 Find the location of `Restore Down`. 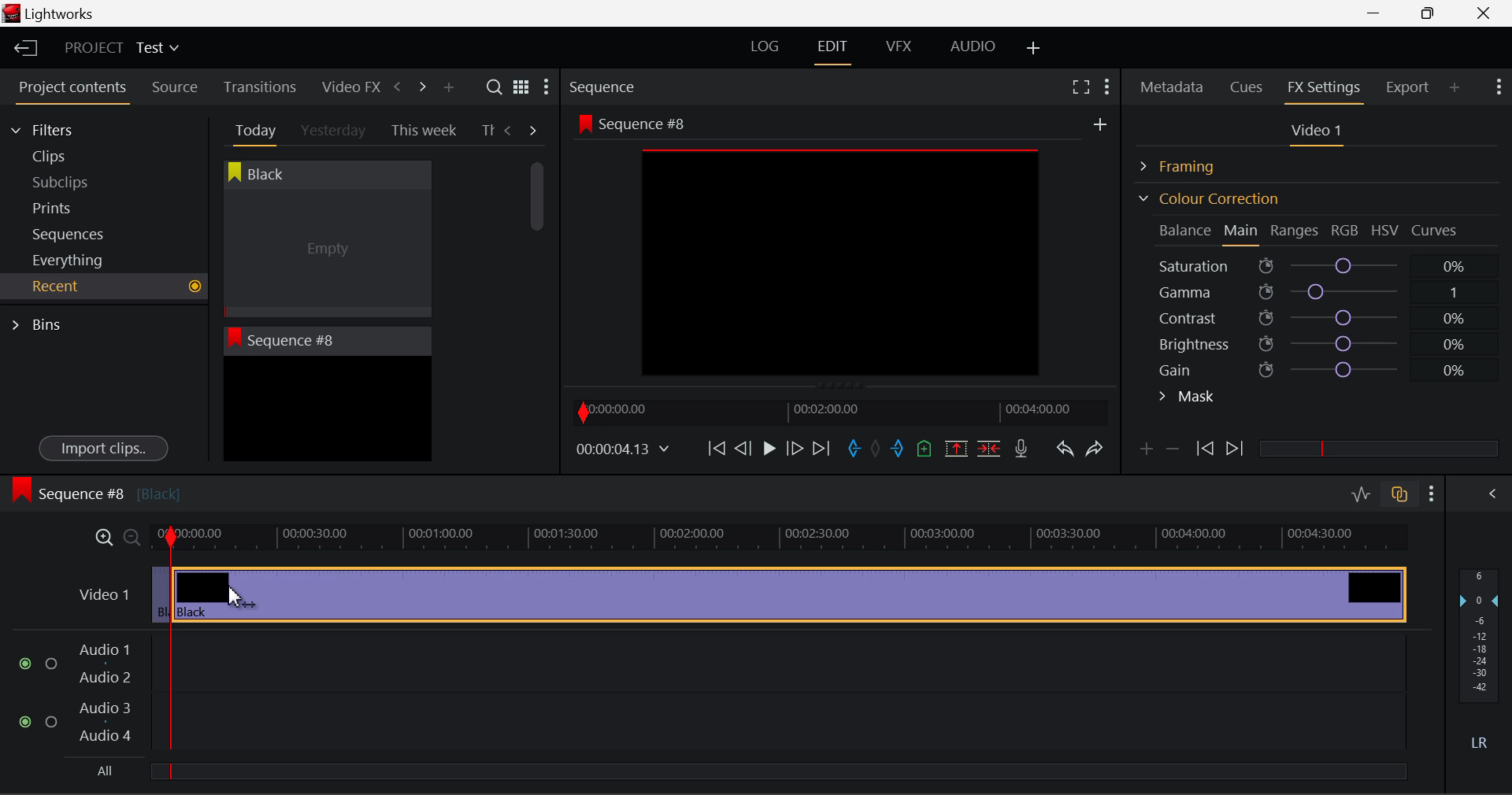

Restore Down is located at coordinates (1379, 13).